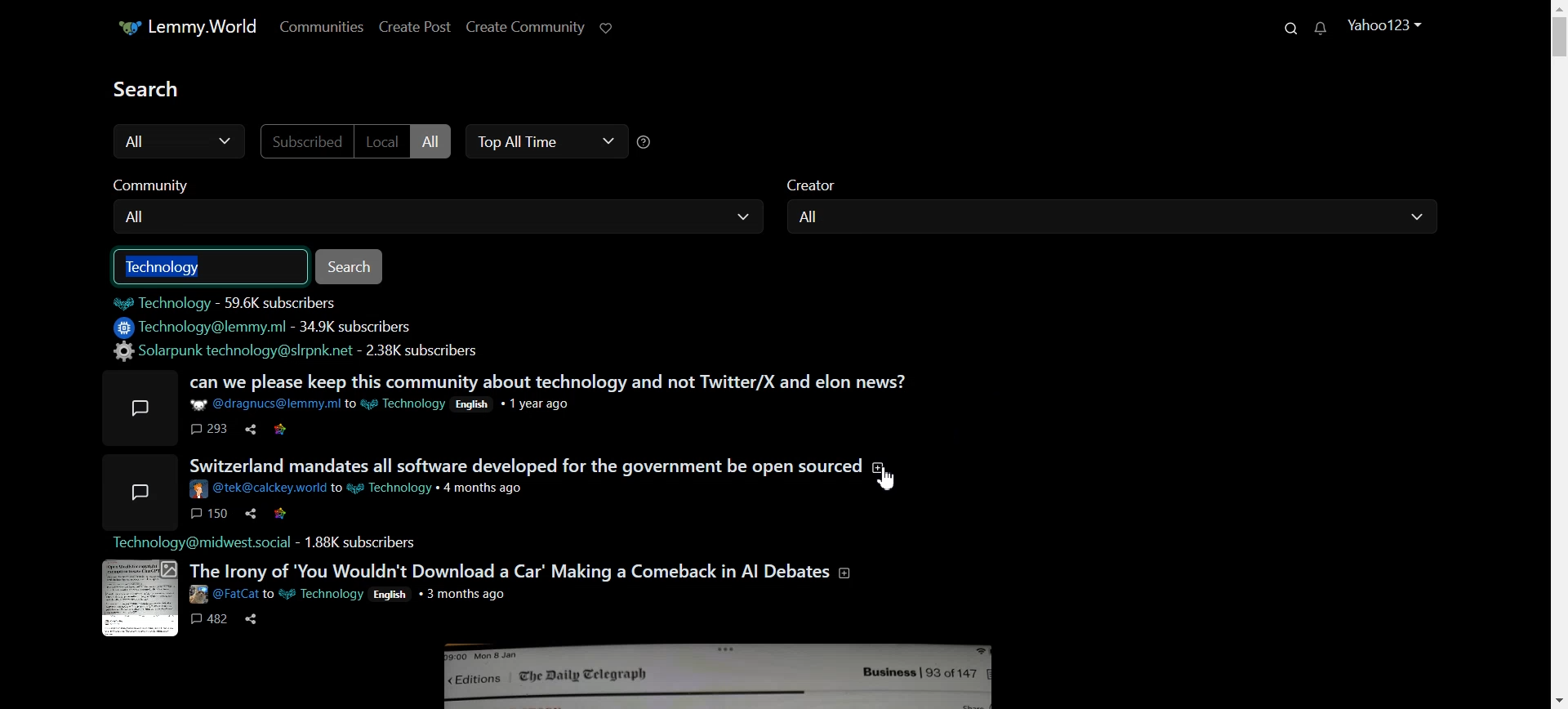  Describe the element at coordinates (301, 353) in the screenshot. I see `Solarpunk technology@slrpnk.net - 2.38K subscribers` at that location.